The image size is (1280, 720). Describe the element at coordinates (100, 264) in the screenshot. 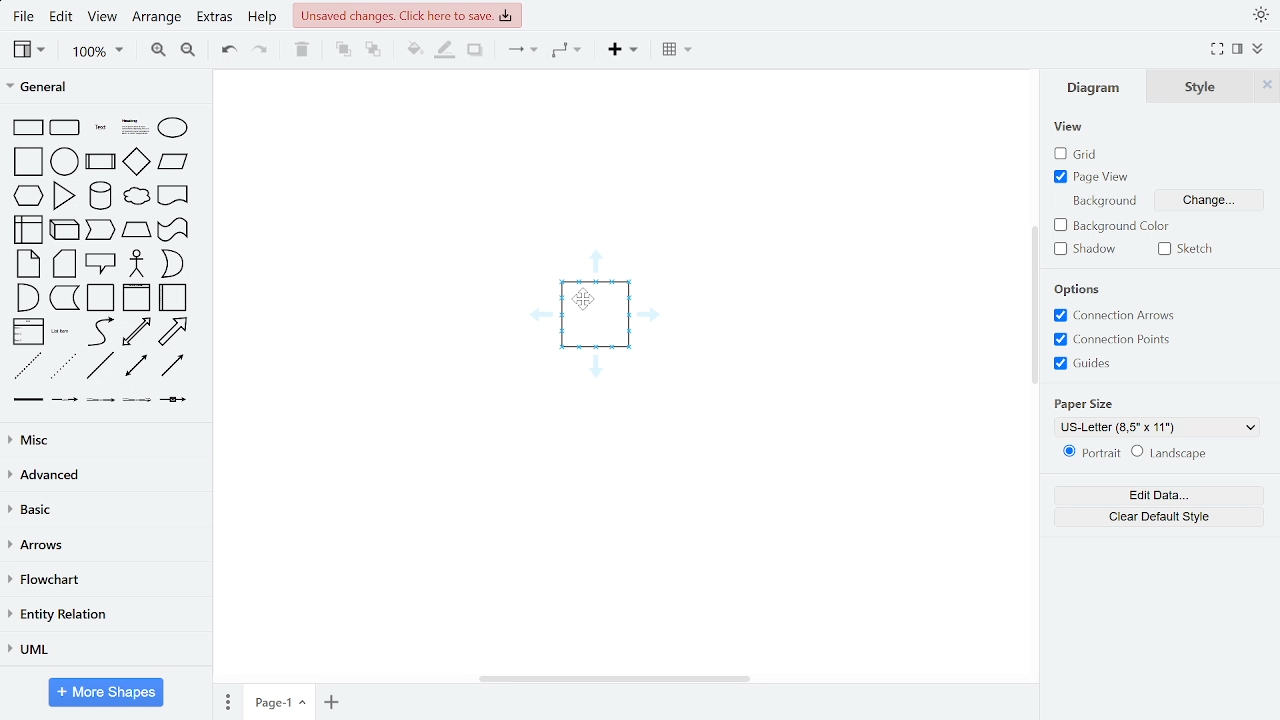

I see `general shapes` at that location.